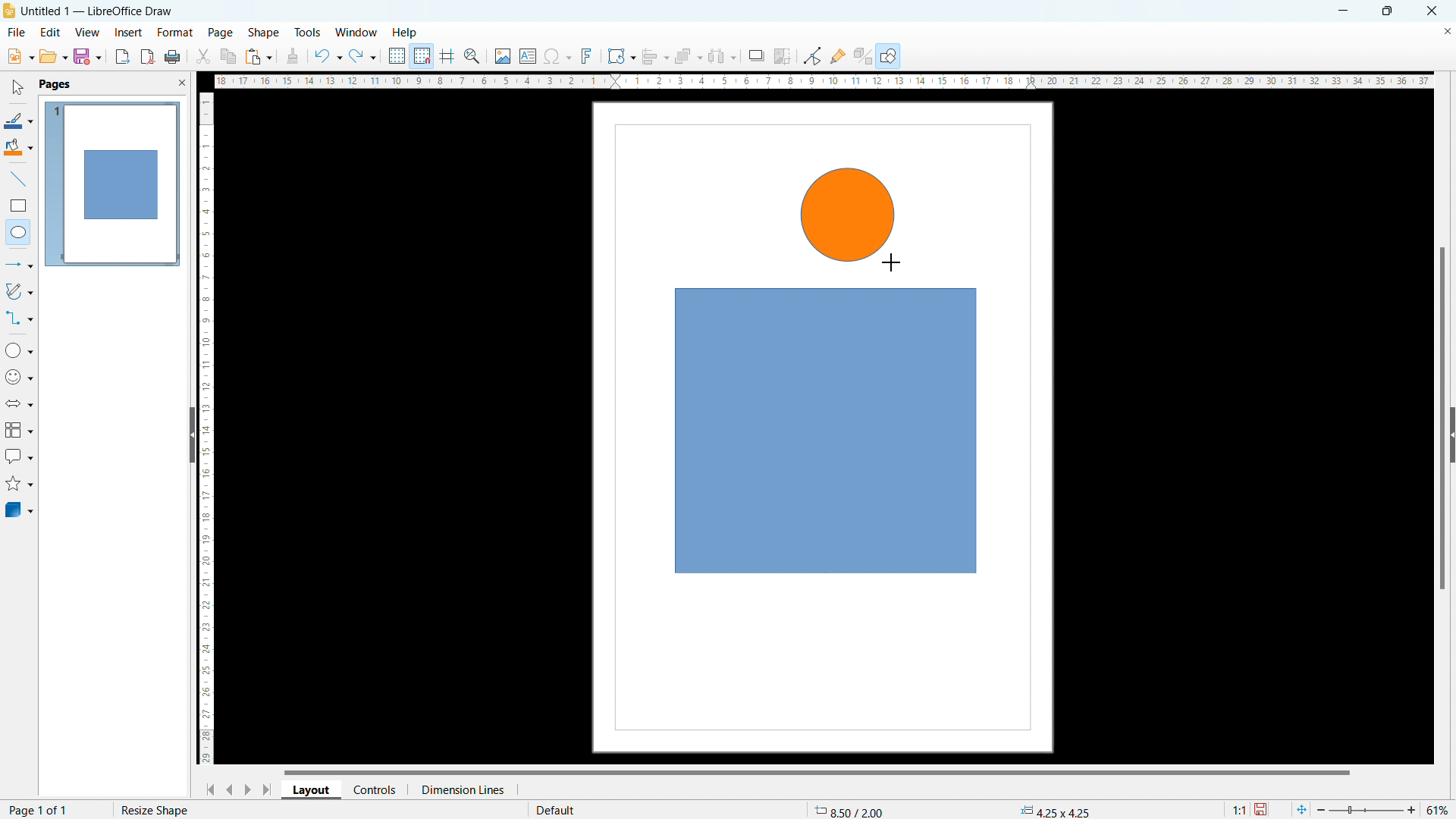 This screenshot has width=1456, height=819. Describe the element at coordinates (838, 55) in the screenshot. I see `show gluepoint functions` at that location.